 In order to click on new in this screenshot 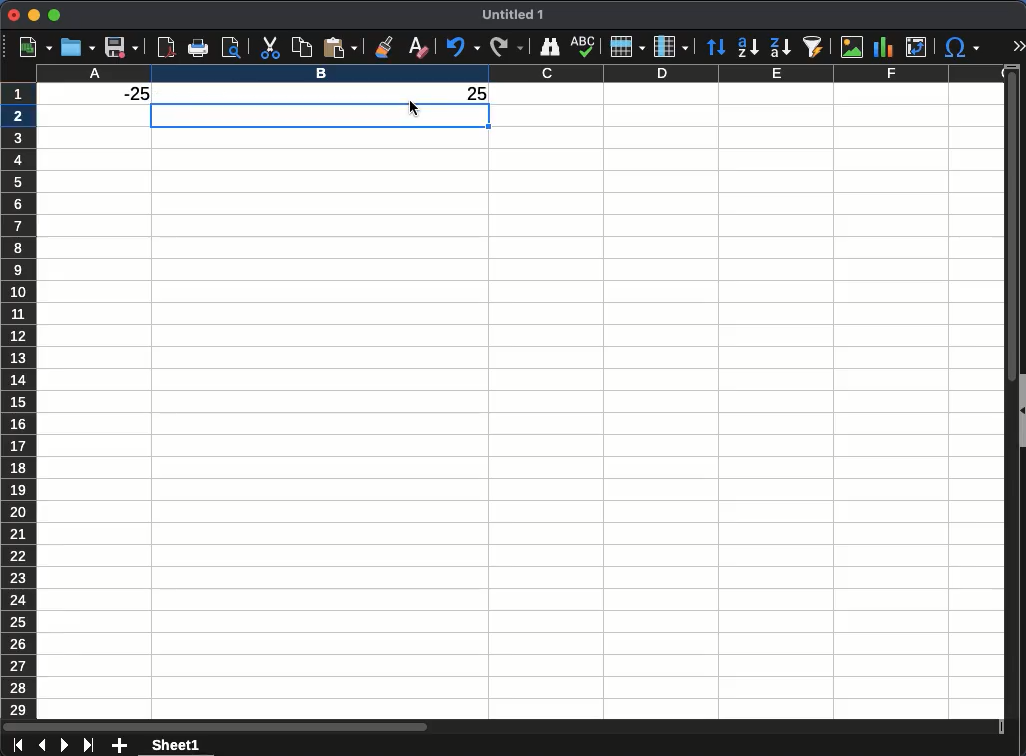, I will do `click(31, 47)`.